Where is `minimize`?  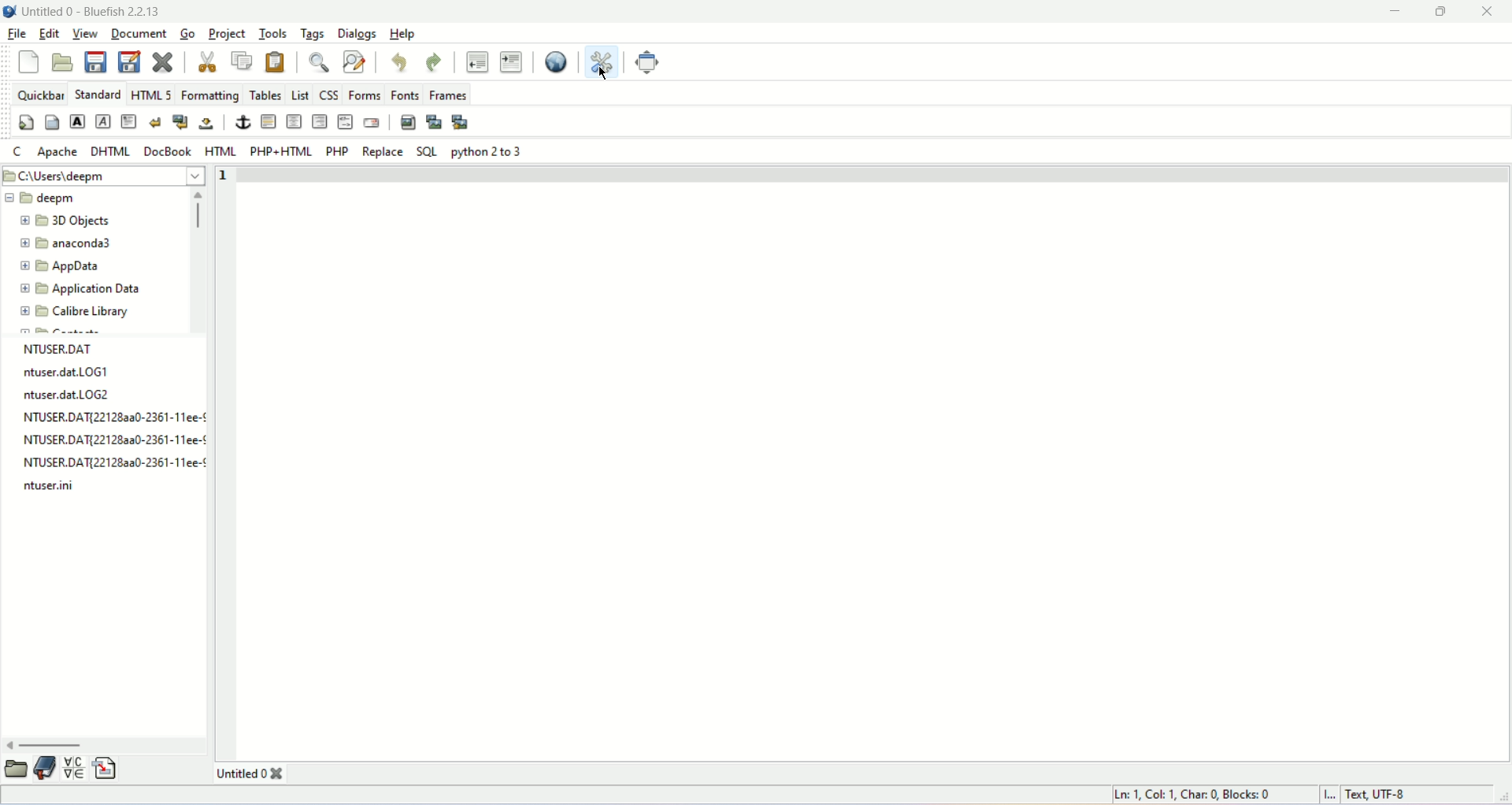
minimize is located at coordinates (1392, 12).